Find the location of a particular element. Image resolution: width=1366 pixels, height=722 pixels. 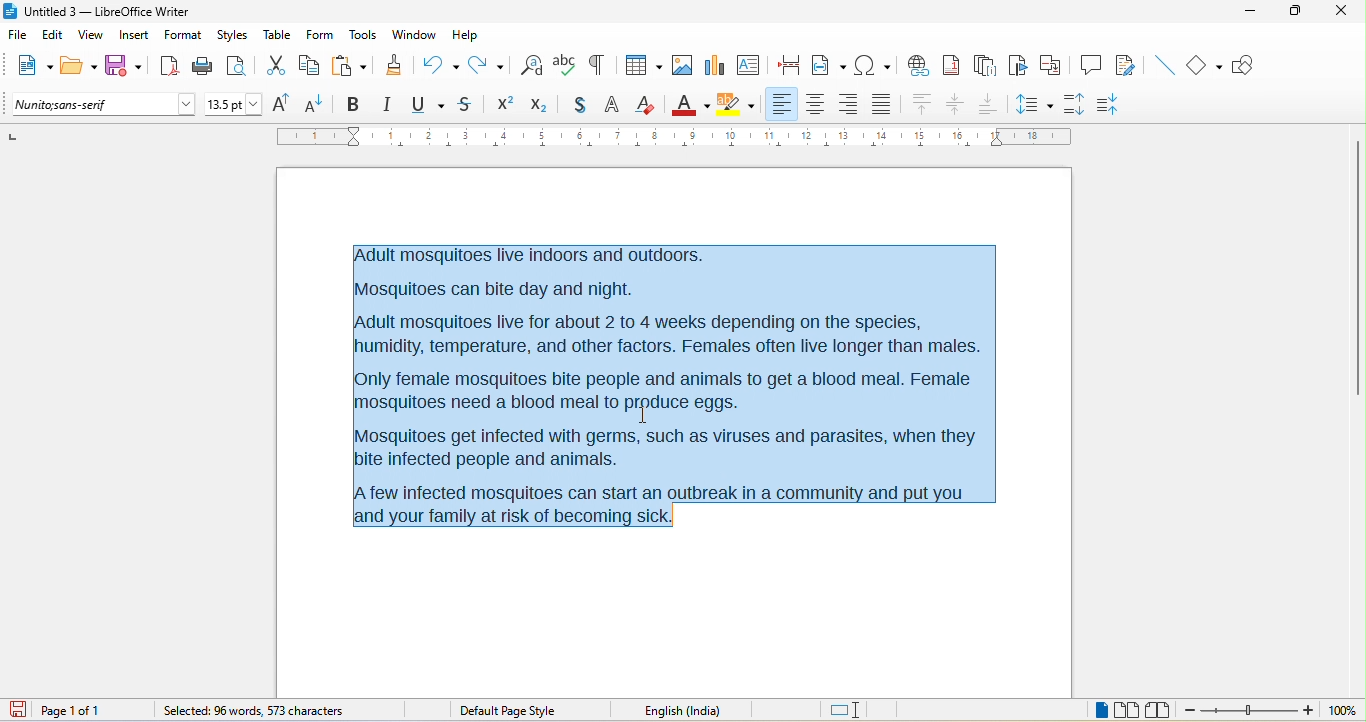

help is located at coordinates (468, 33).